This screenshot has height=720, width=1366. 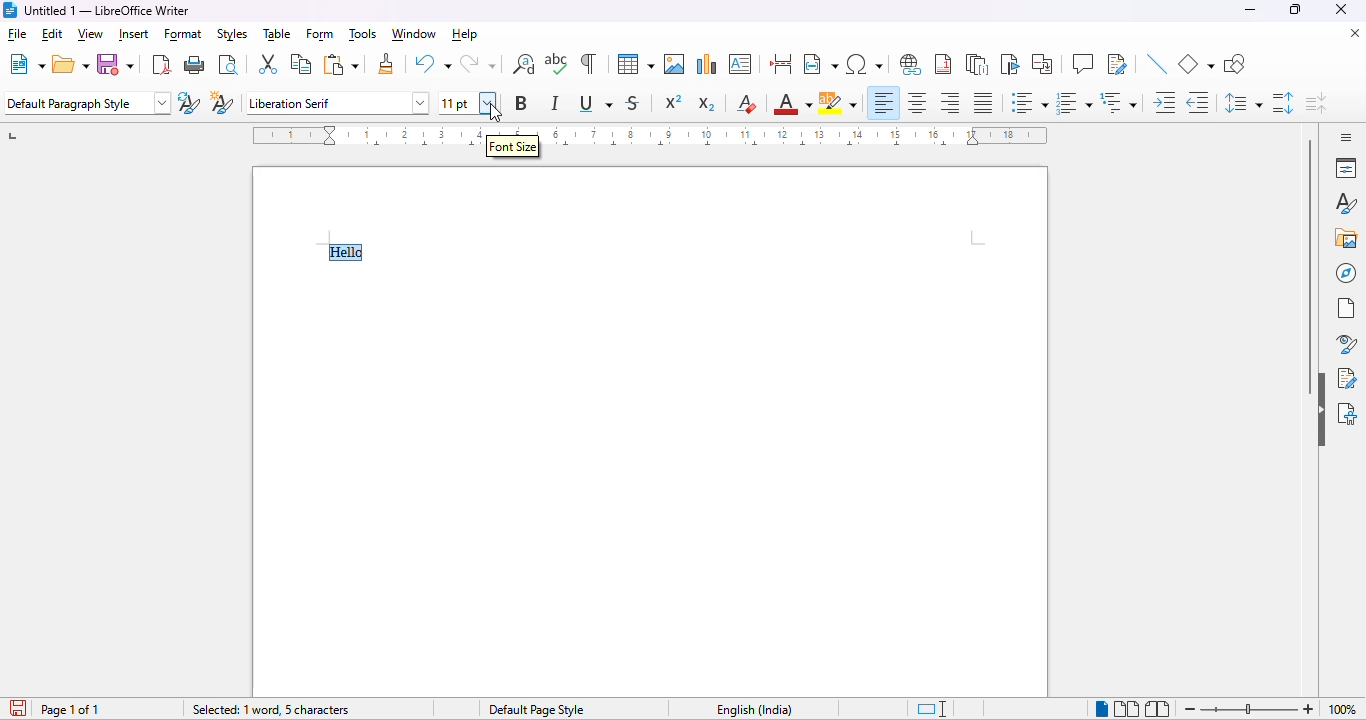 What do you see at coordinates (16, 708) in the screenshot?
I see `the document has not been modified since the last save` at bounding box center [16, 708].